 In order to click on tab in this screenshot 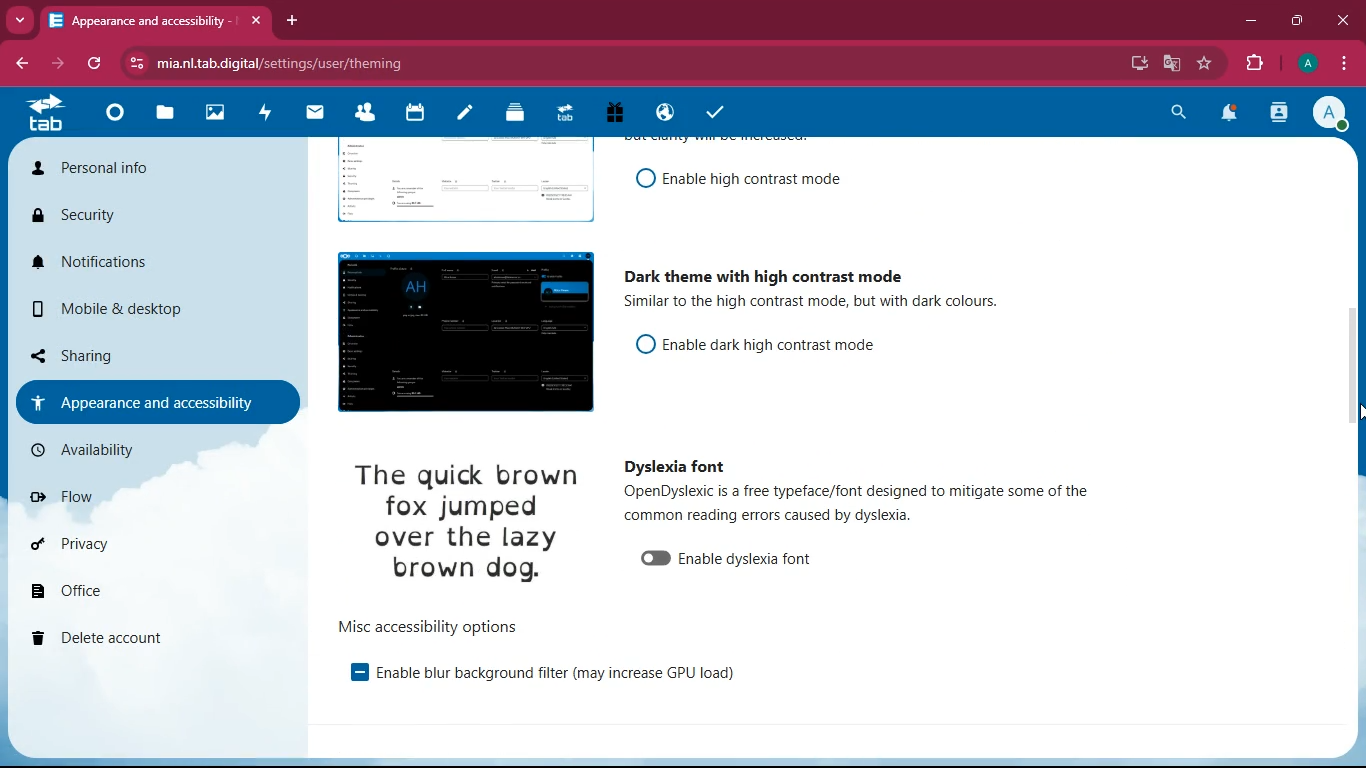, I will do `click(49, 112)`.